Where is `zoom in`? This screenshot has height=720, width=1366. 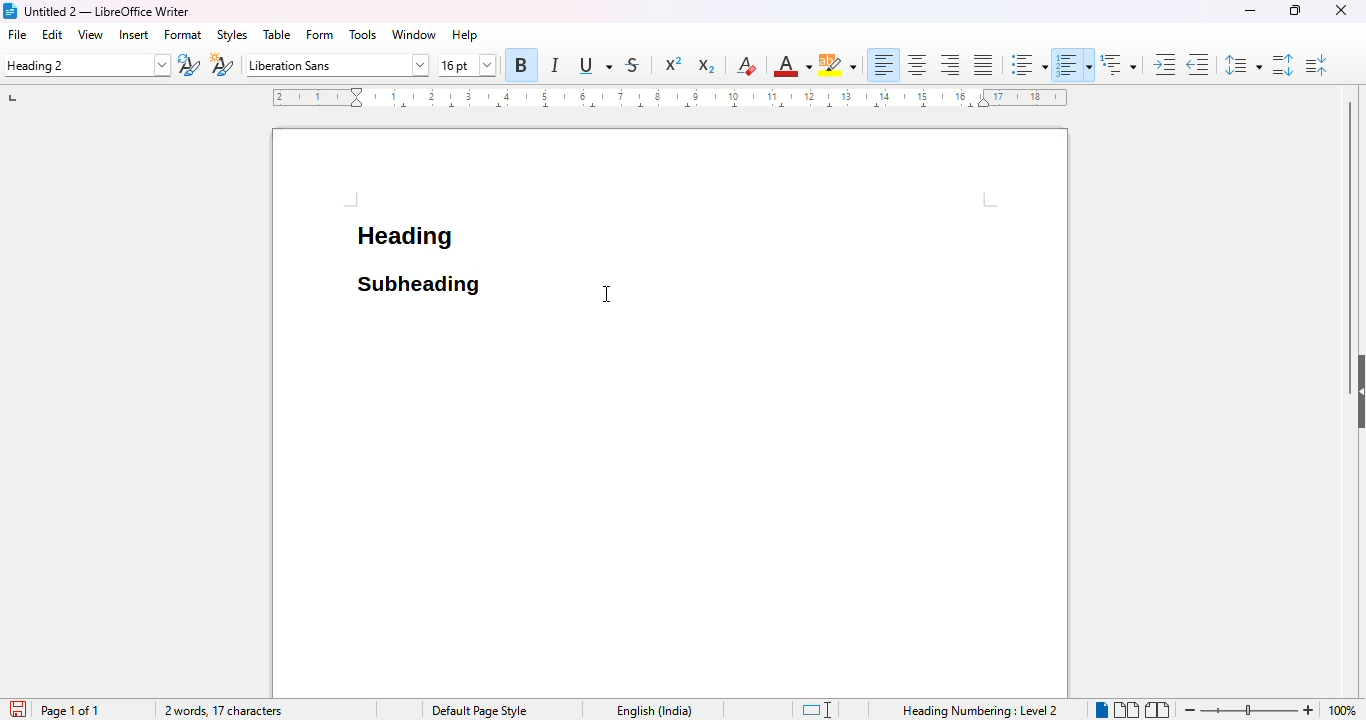 zoom in is located at coordinates (1308, 710).